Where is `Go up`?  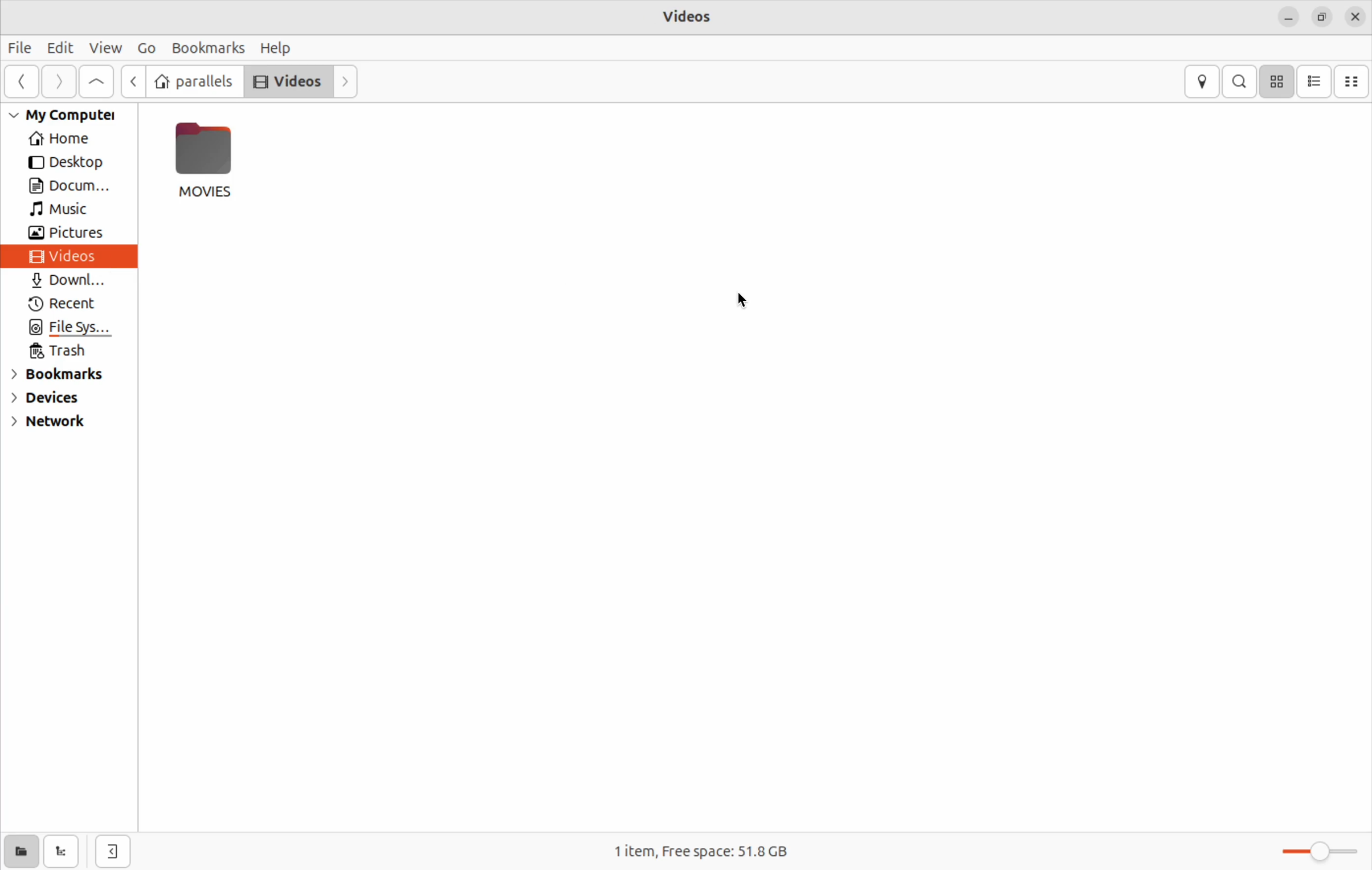 Go up is located at coordinates (133, 80).